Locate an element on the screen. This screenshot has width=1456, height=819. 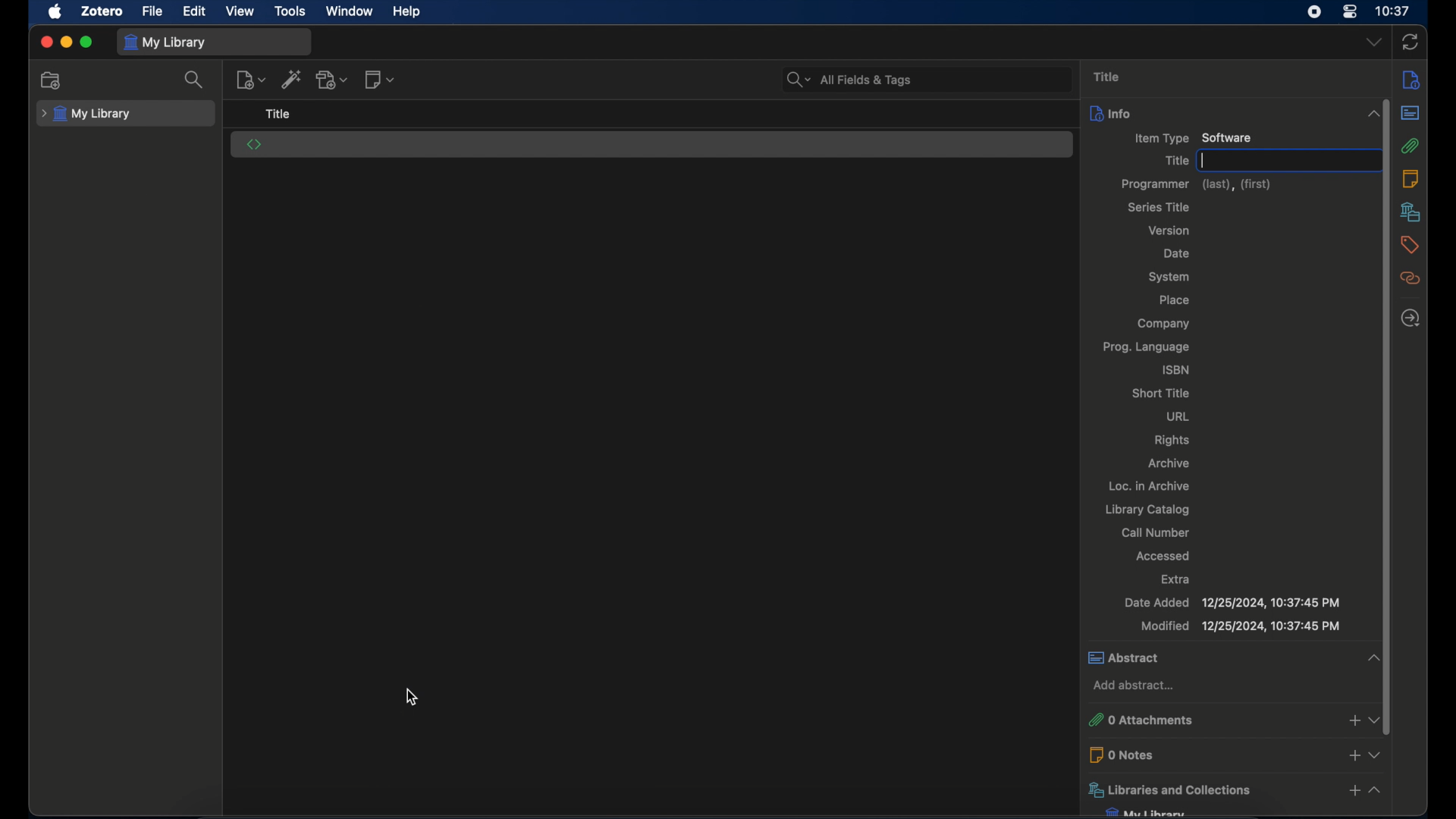
add abstract is located at coordinates (1134, 686).